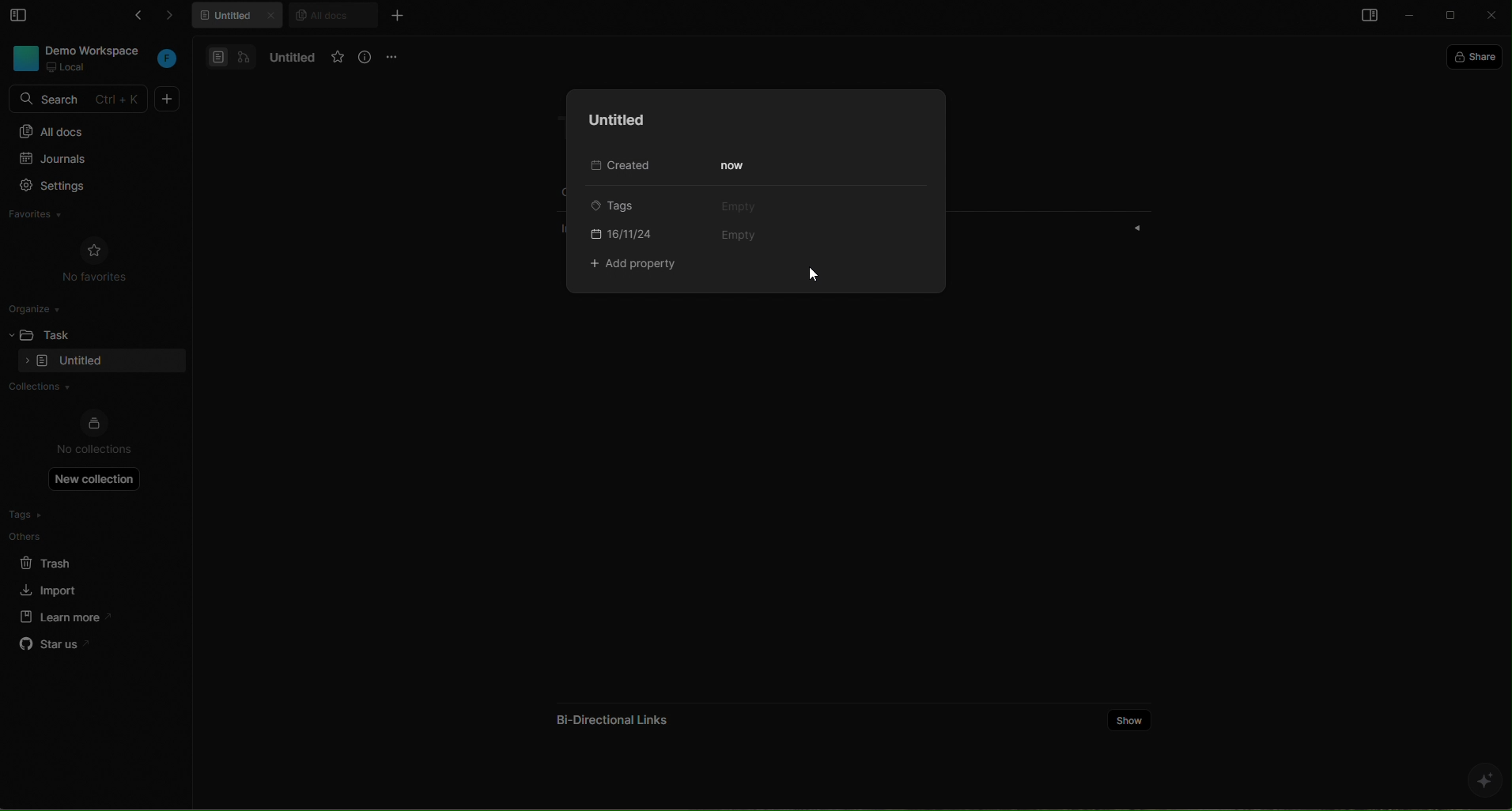 The width and height of the screenshot is (1512, 811). Describe the element at coordinates (89, 388) in the screenshot. I see `collections` at that location.